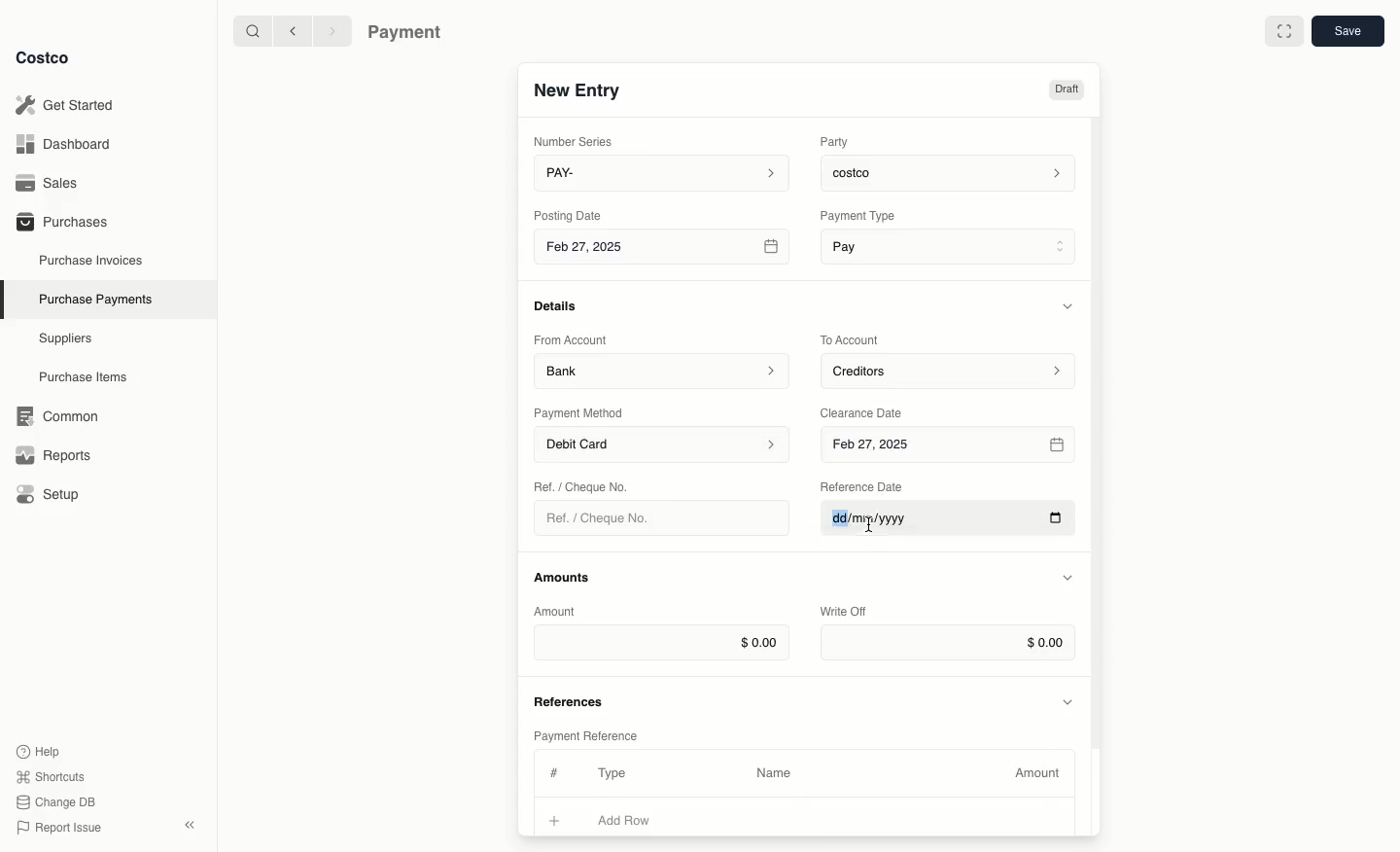  Describe the element at coordinates (53, 183) in the screenshot. I see `Sales` at that location.